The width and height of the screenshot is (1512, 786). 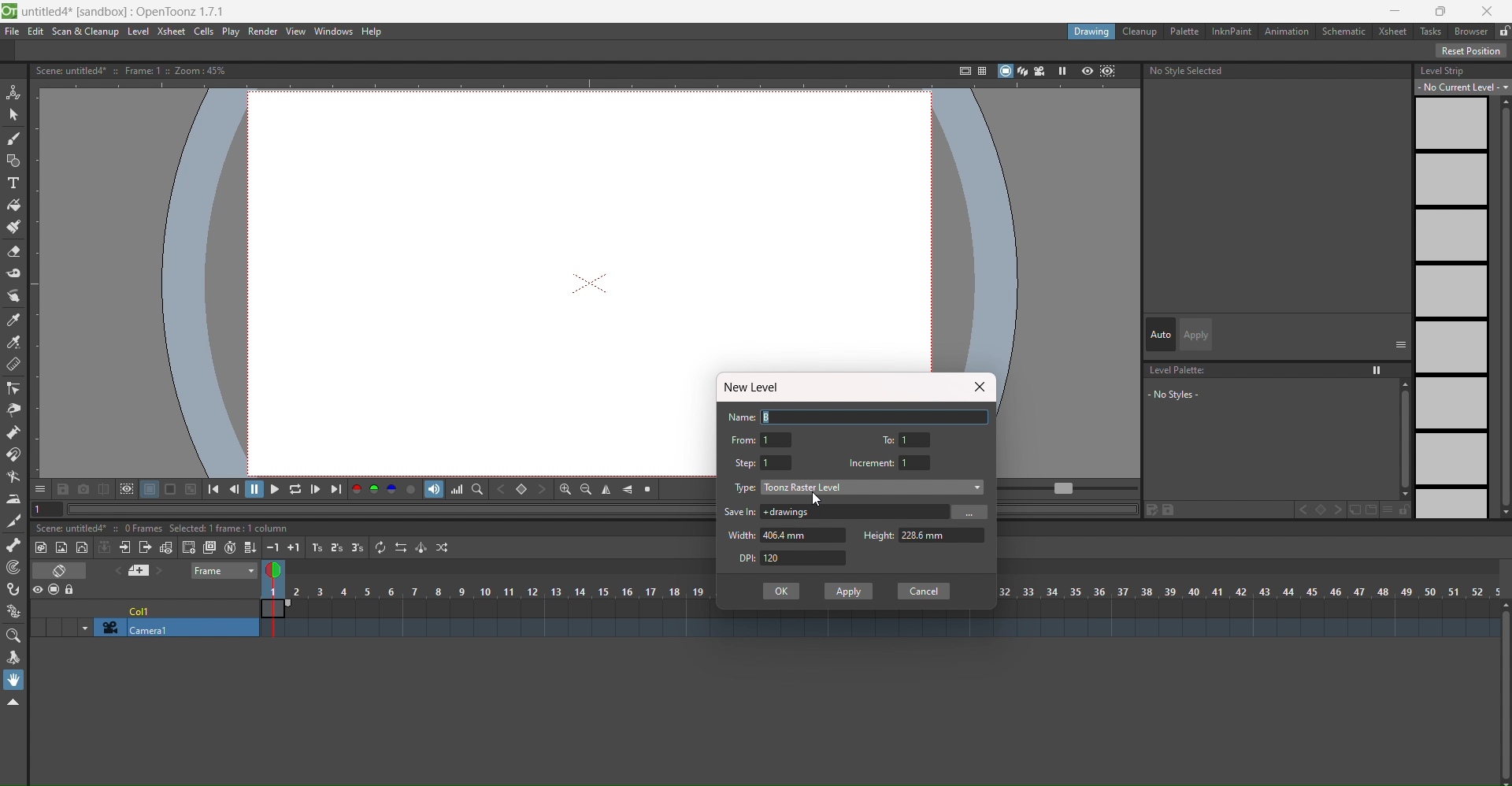 I want to click on inknpaint, so click(x=1230, y=32).